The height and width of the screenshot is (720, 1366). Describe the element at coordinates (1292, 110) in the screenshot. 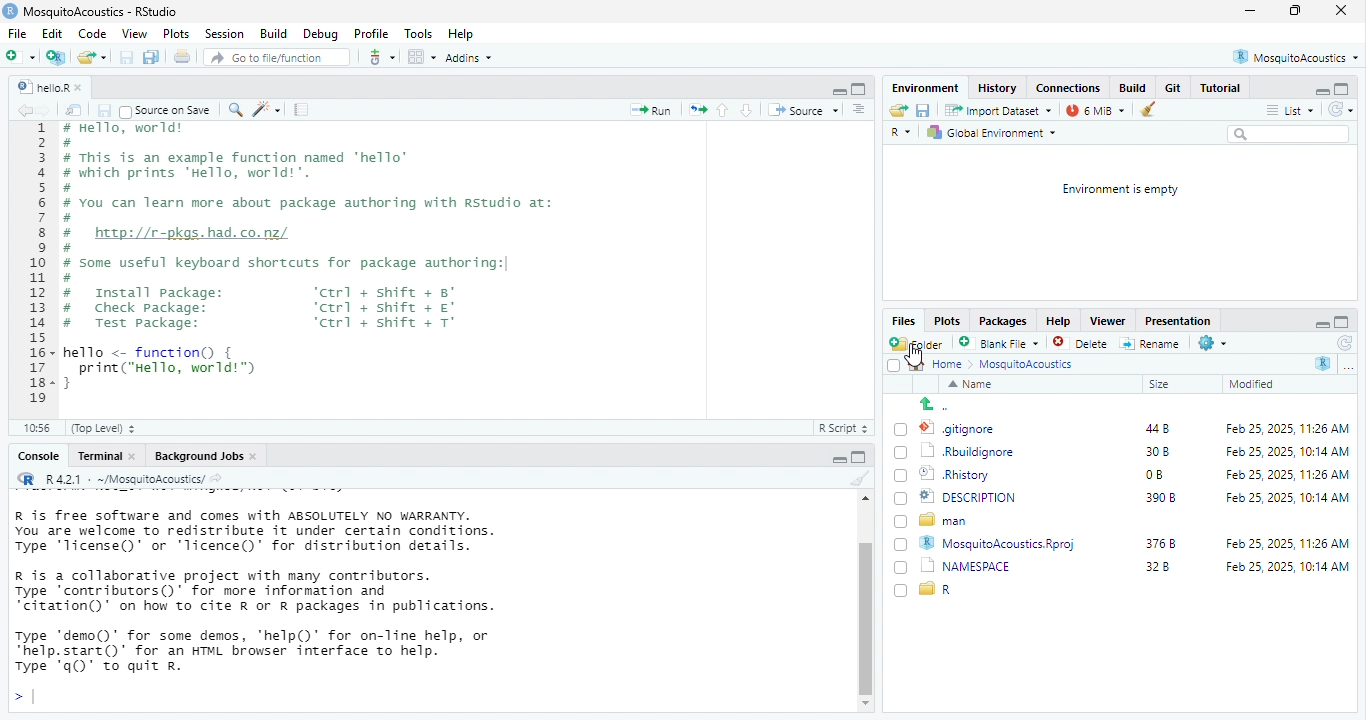

I see ` list` at that location.